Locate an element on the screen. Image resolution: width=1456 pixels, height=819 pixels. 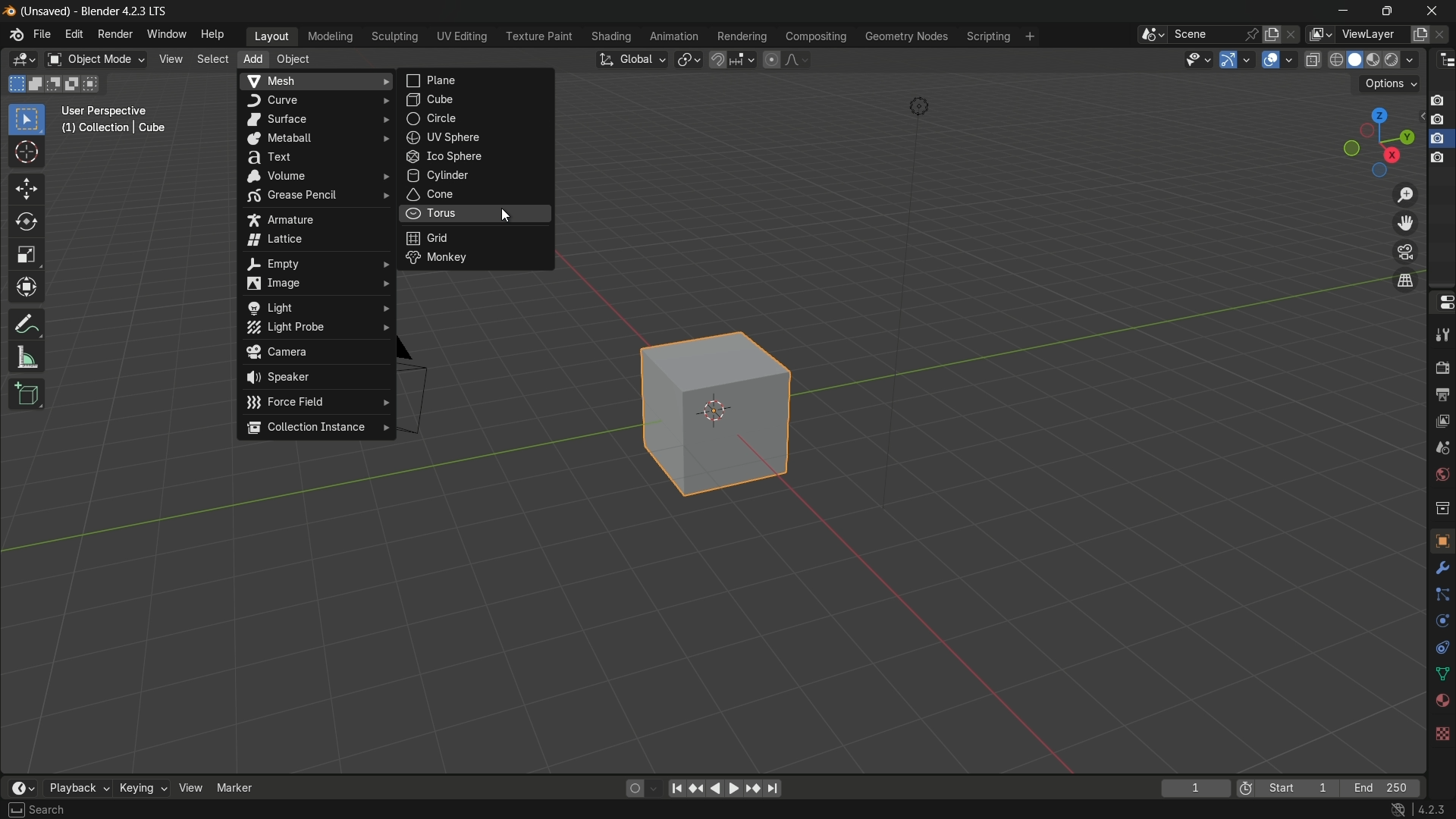
constraints is located at coordinates (1441, 648).